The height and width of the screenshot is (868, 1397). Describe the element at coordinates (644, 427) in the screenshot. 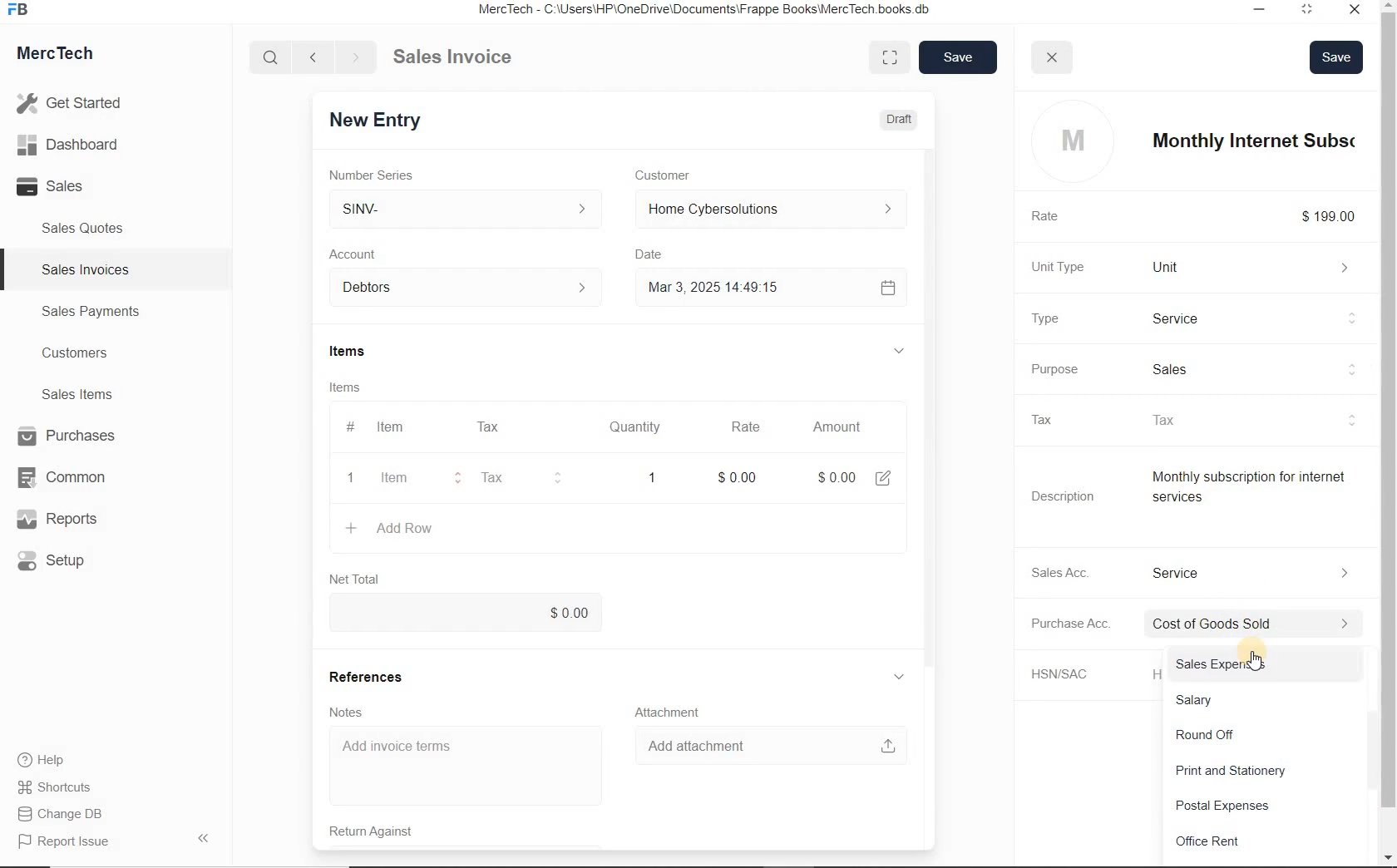

I see `Quantity` at that location.